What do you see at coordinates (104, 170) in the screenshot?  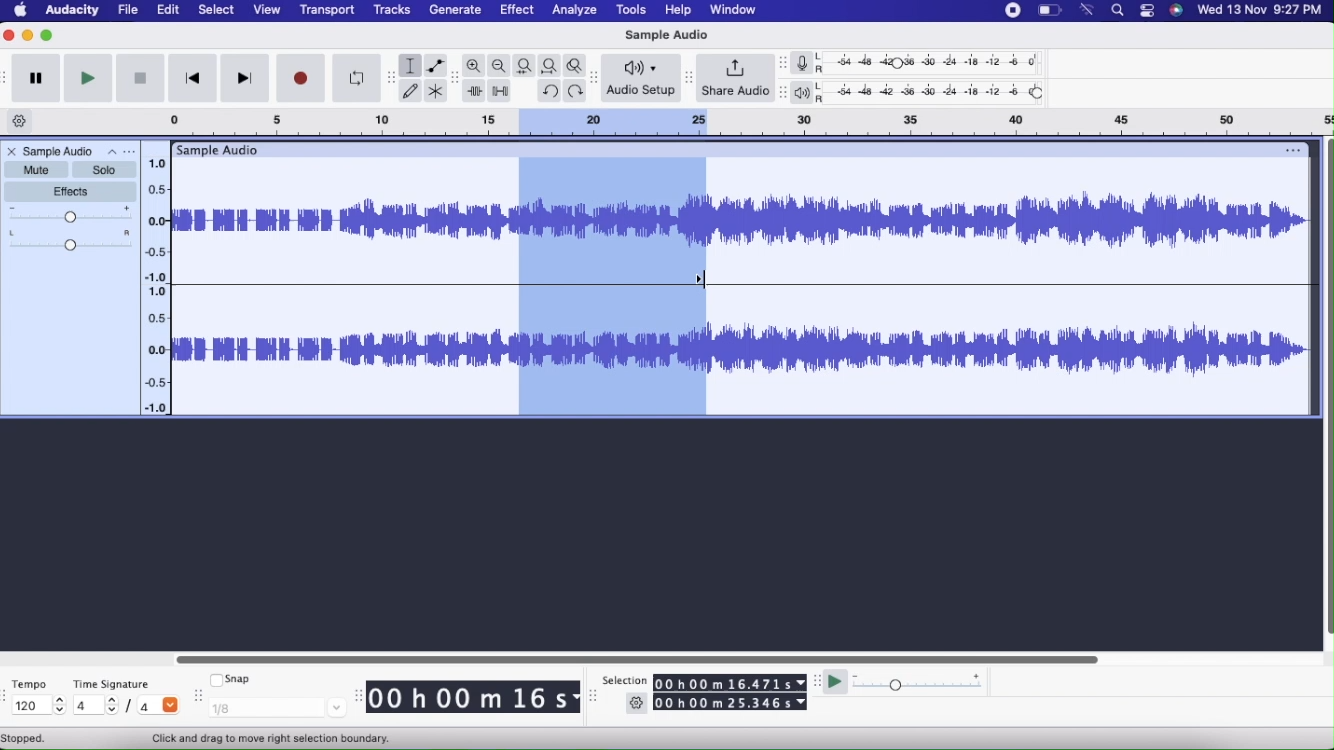 I see `Solo` at bounding box center [104, 170].